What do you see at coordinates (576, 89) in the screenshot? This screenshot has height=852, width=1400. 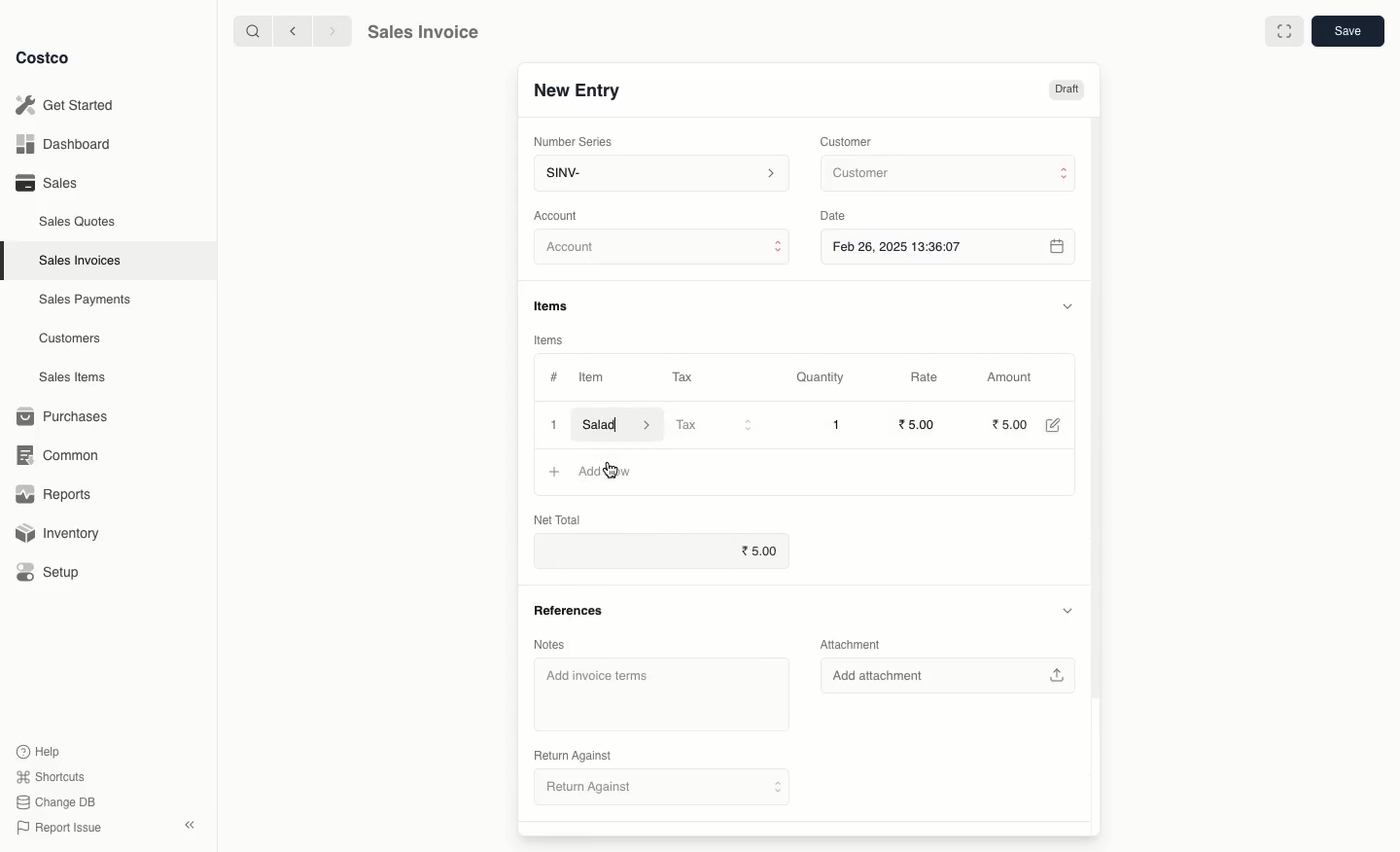 I see `New Entry` at bounding box center [576, 89].